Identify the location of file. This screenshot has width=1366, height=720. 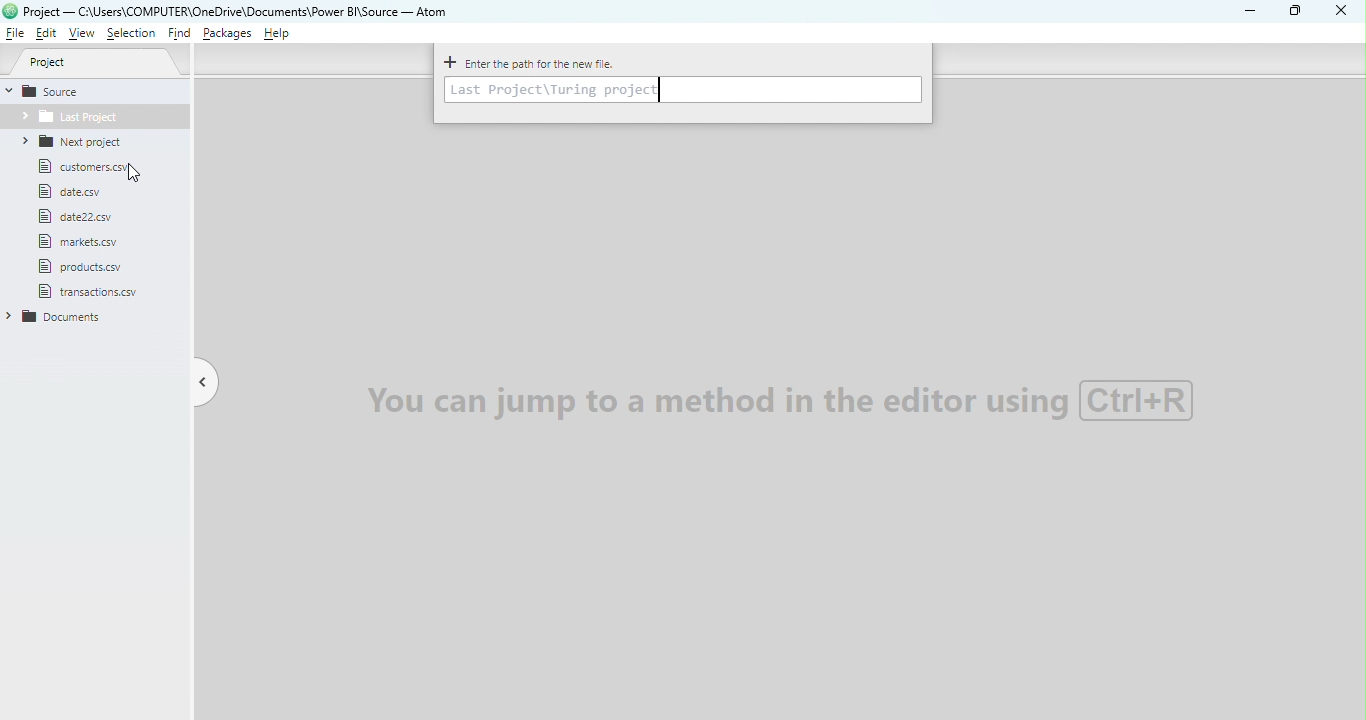
(78, 217).